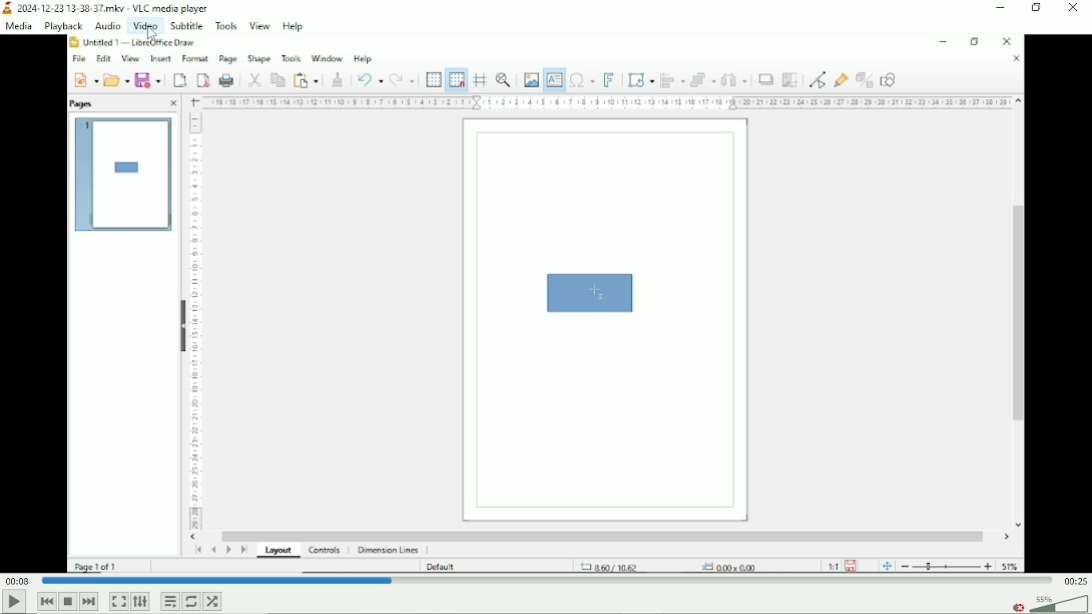  I want to click on Toggle between loop all, loop one and no loop, so click(190, 601).